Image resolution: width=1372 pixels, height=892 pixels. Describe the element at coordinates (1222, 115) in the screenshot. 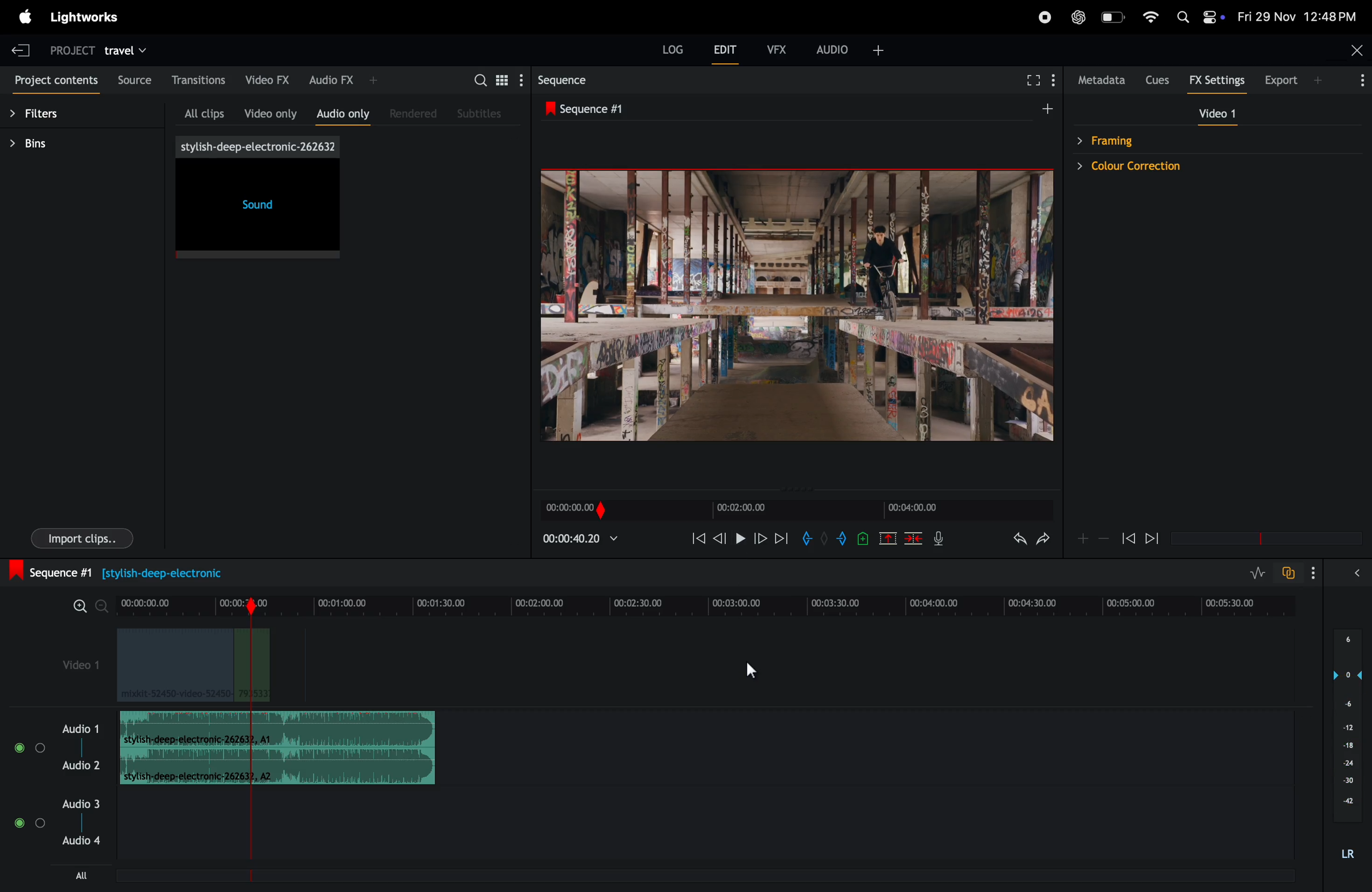

I see `video 1` at that location.